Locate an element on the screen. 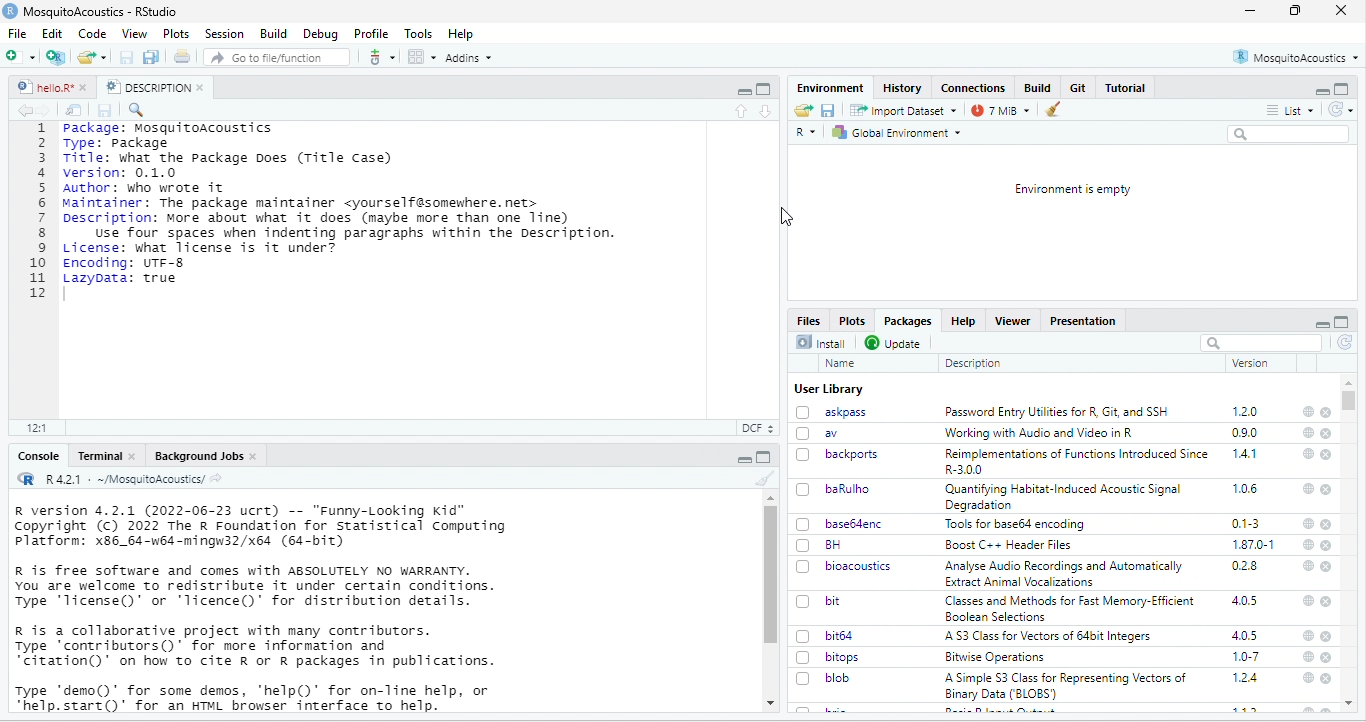 The width and height of the screenshot is (1366, 722). close is located at coordinates (1327, 565).